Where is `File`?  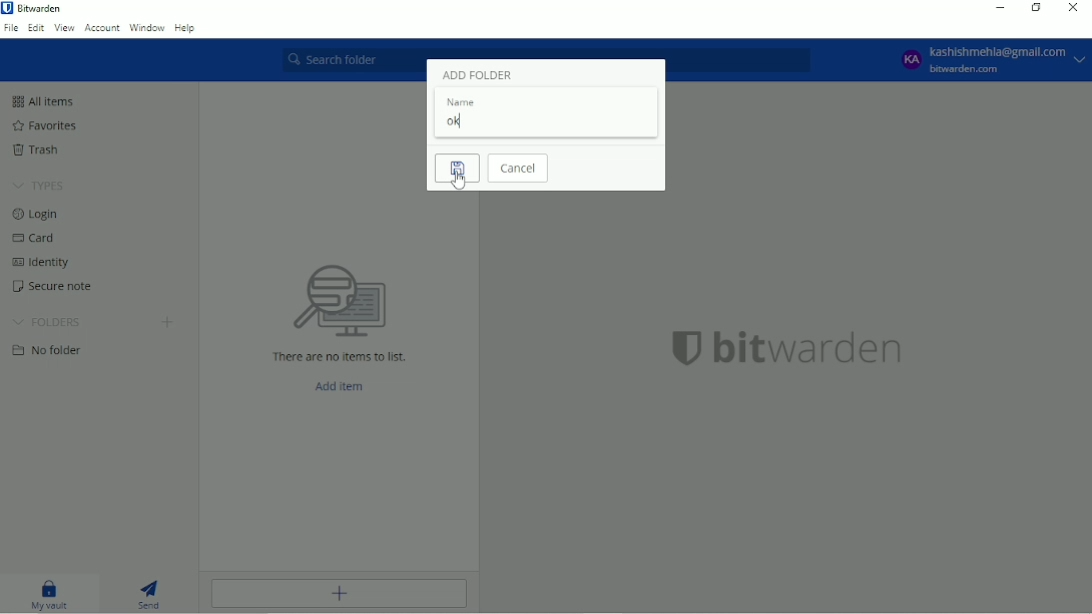 File is located at coordinates (11, 28).